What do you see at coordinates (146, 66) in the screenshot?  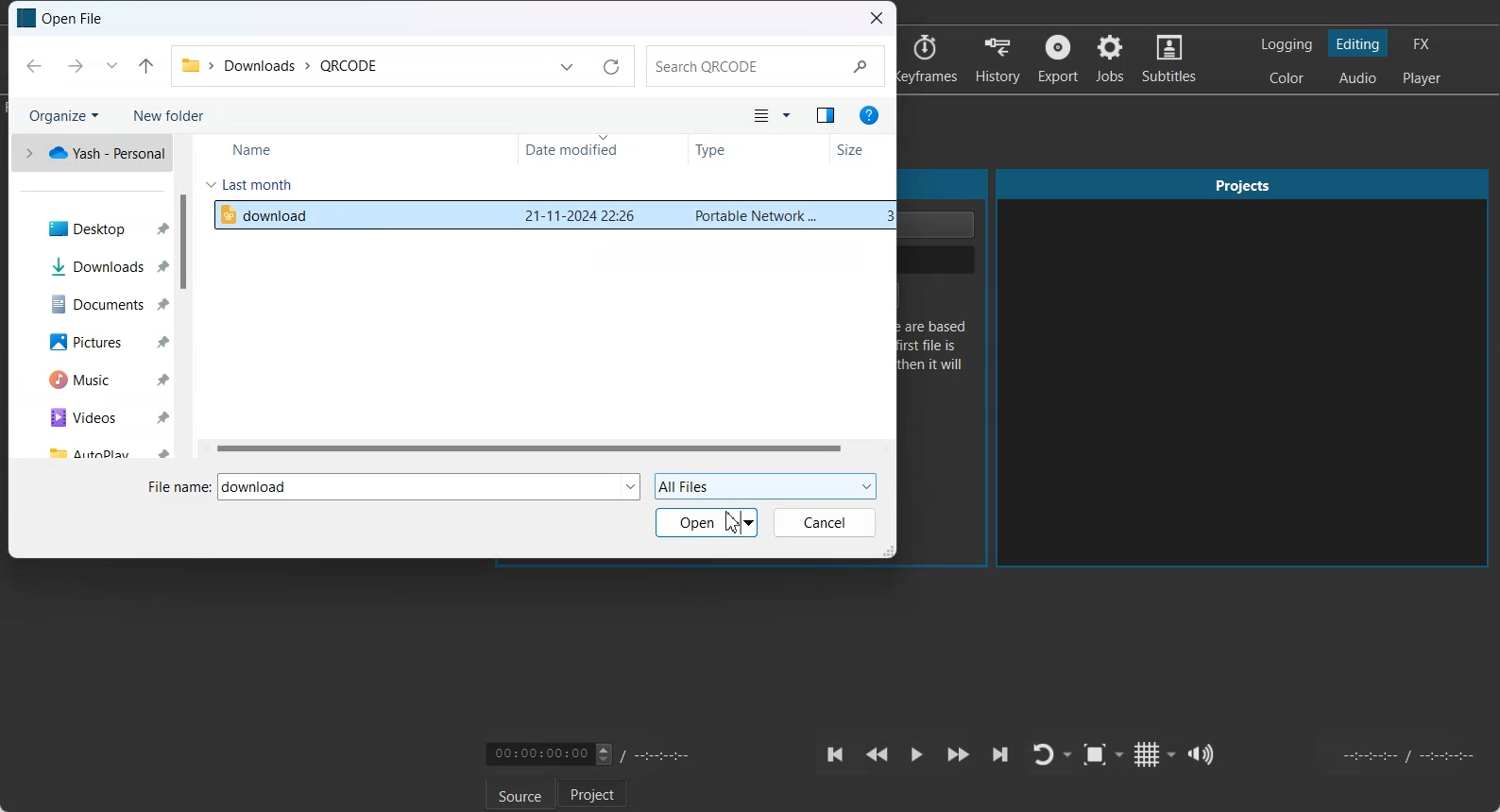 I see `Up to ` at bounding box center [146, 66].